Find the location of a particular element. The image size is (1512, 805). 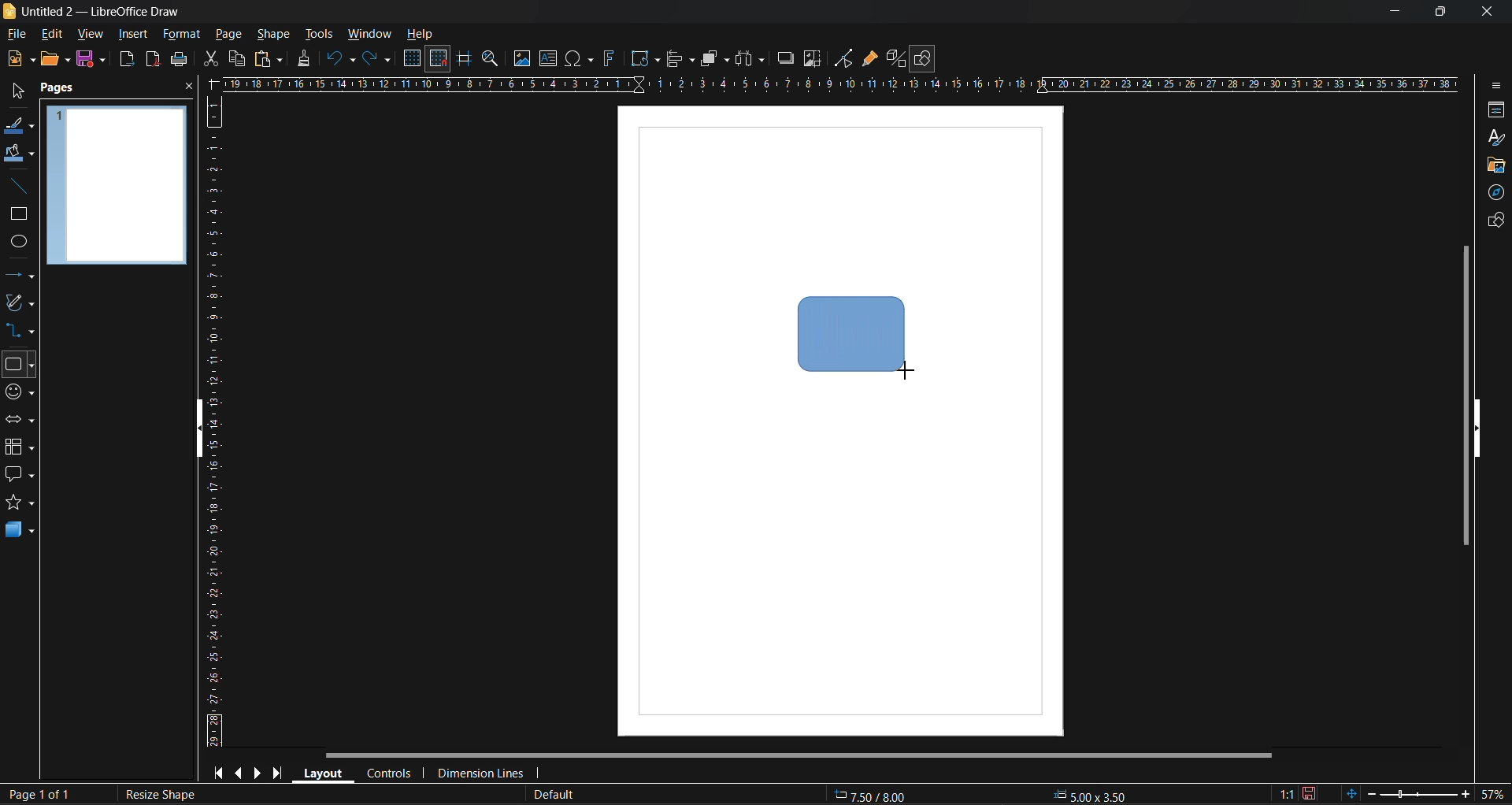

export as pdf is located at coordinates (152, 58).